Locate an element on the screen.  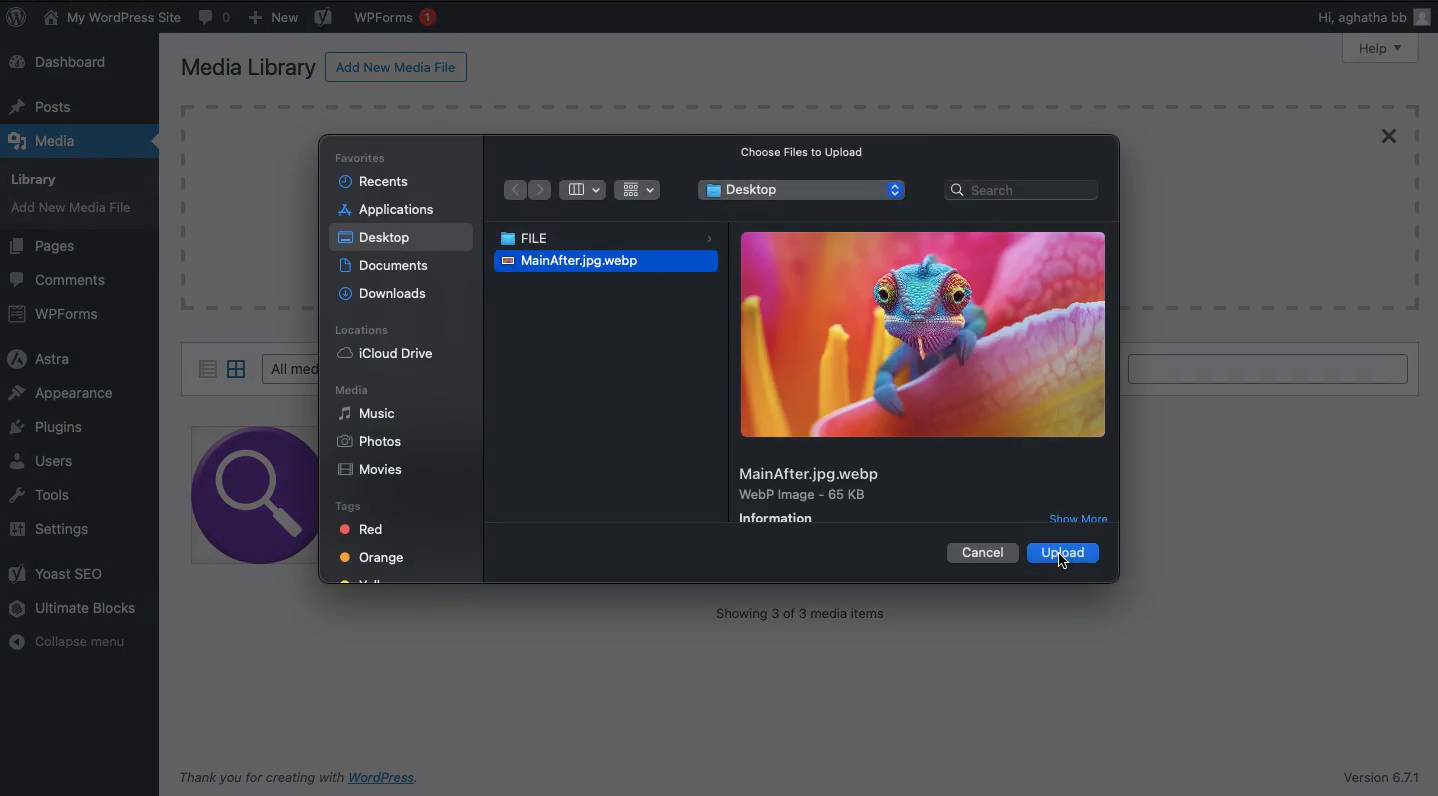
Yoast SEO is located at coordinates (60, 572).